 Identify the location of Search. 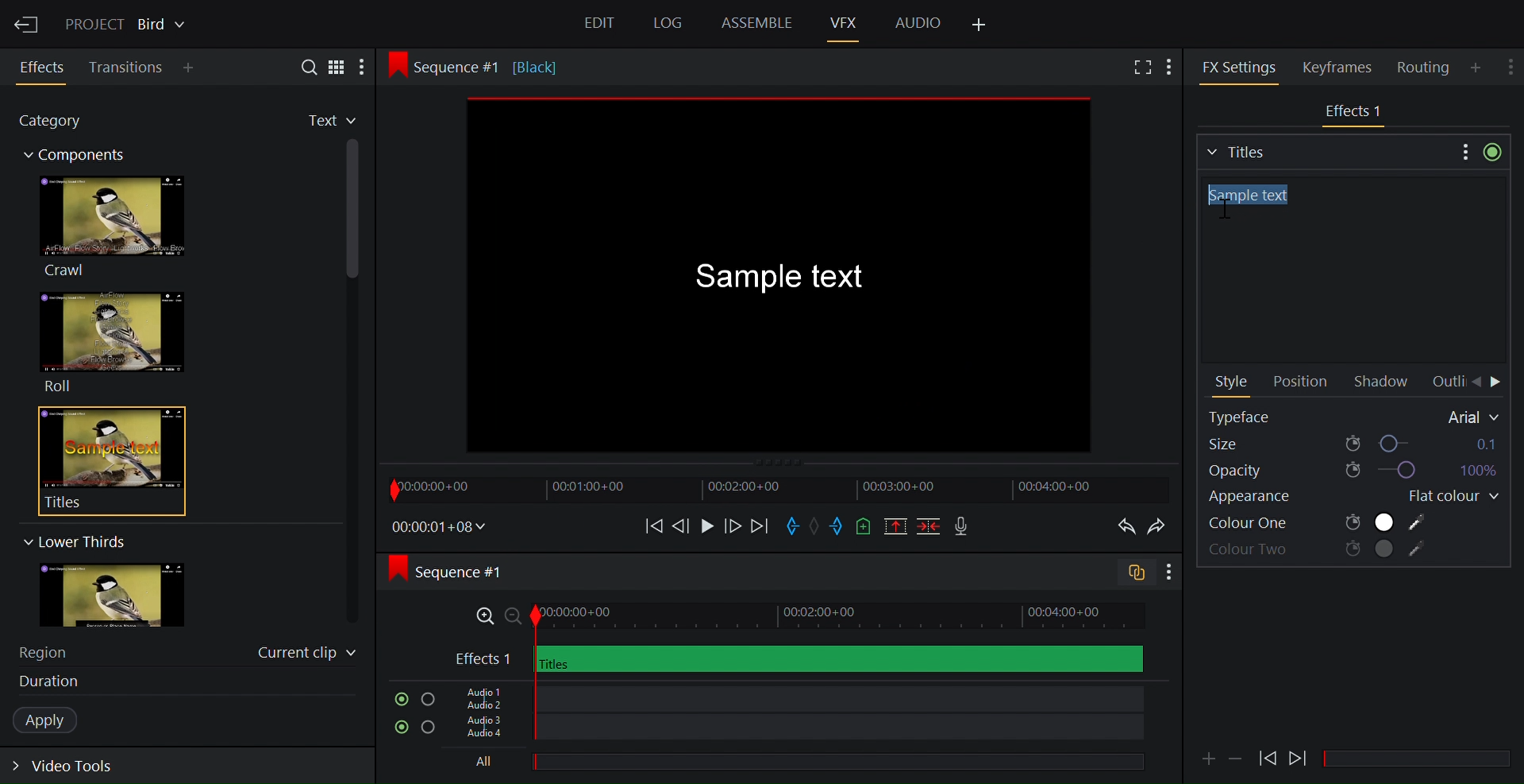
(302, 66).